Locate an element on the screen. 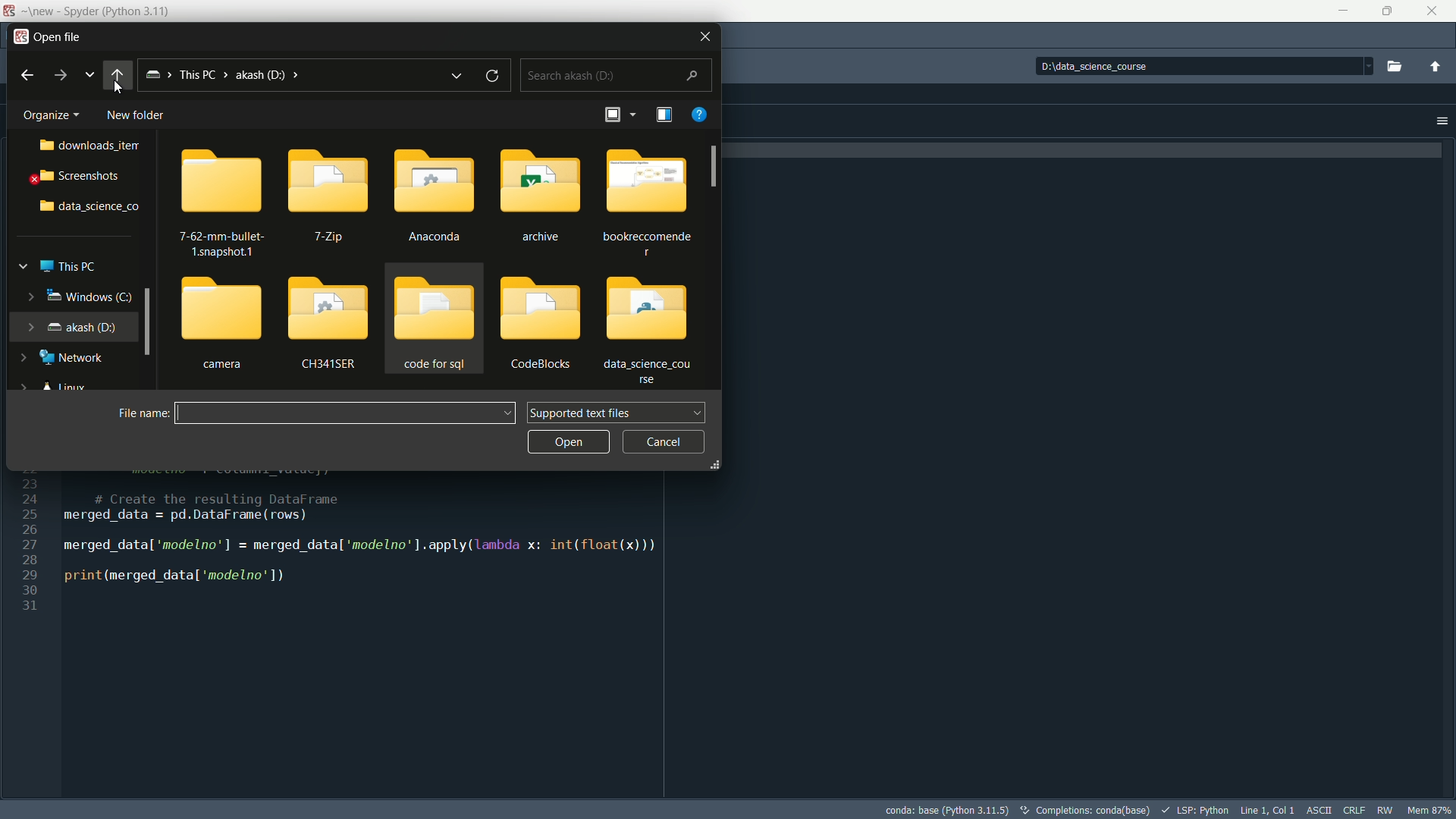 This screenshot has height=819, width=1456. code for sql is located at coordinates (434, 323).